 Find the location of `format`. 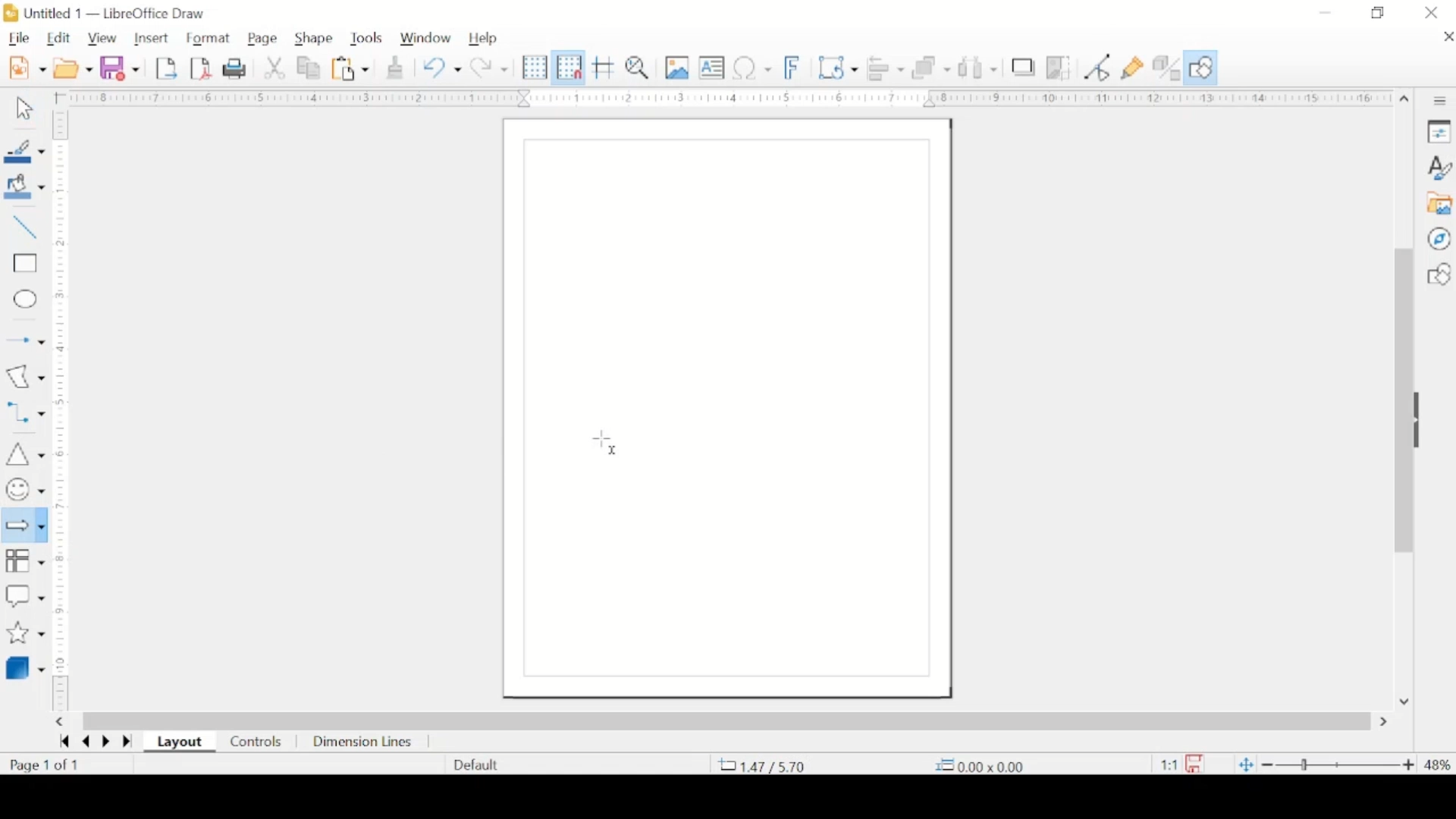

format is located at coordinates (209, 39).